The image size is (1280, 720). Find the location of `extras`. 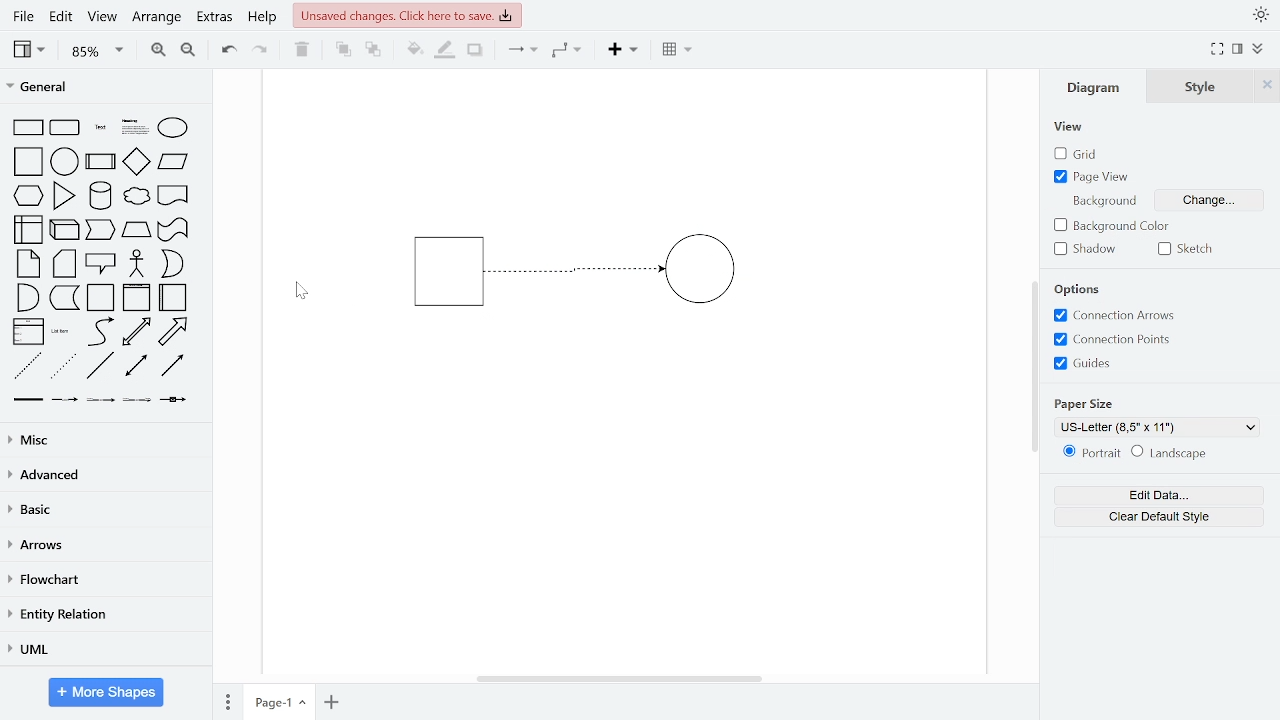

extras is located at coordinates (214, 17).